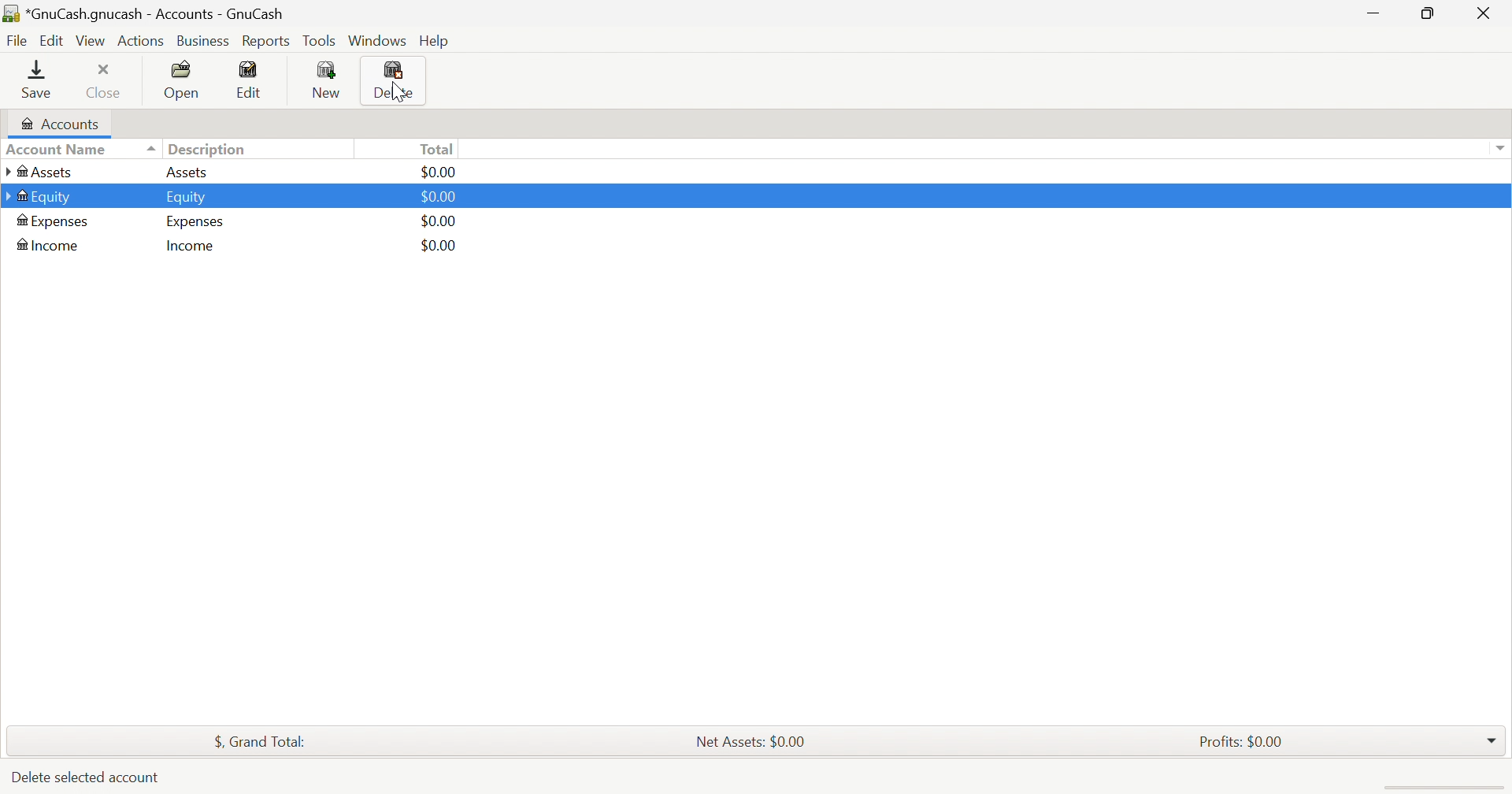 This screenshot has height=794, width=1512. I want to click on Restore Down, so click(1425, 12).